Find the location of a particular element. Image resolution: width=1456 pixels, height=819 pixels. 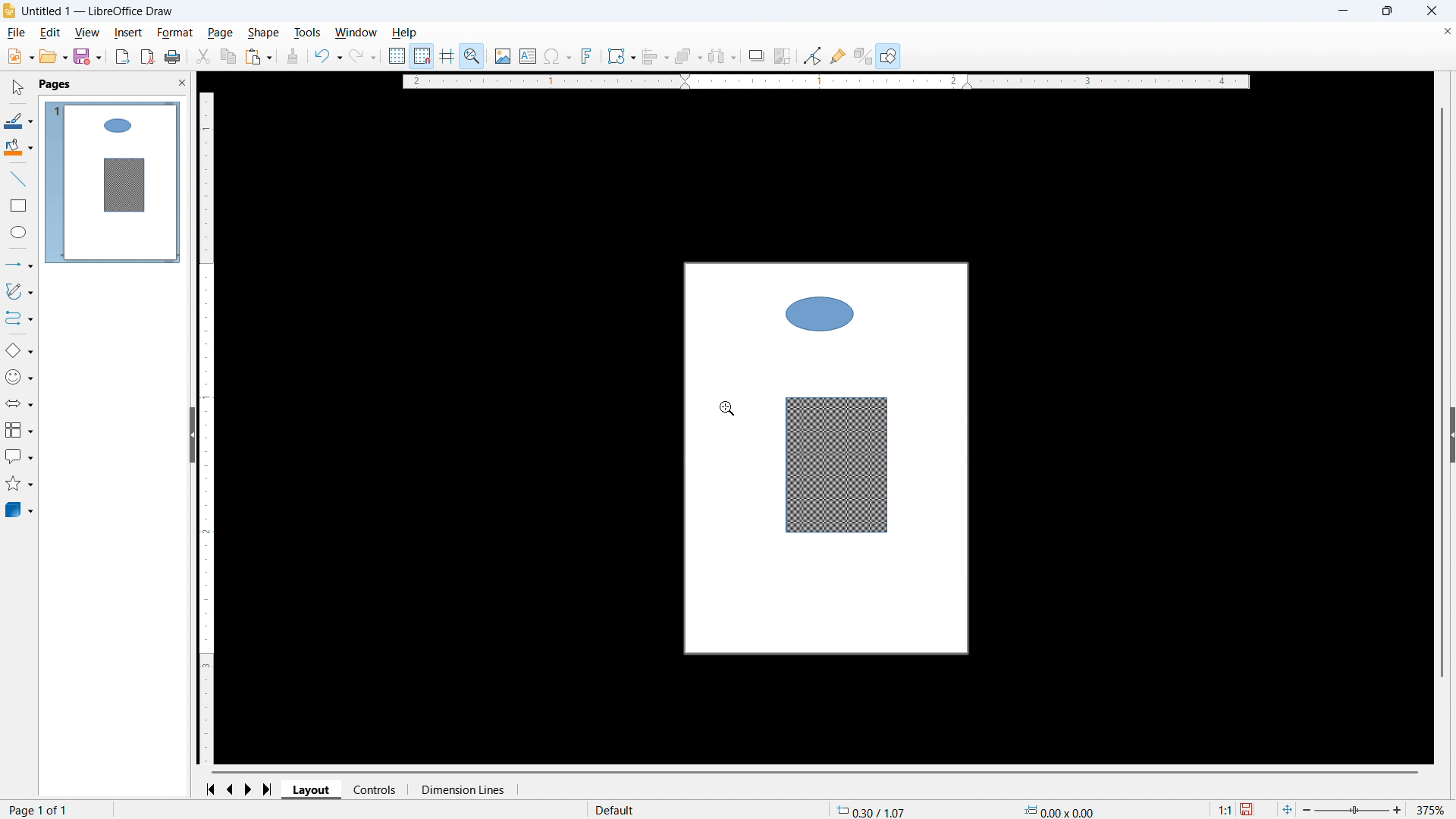

Help  is located at coordinates (405, 33).